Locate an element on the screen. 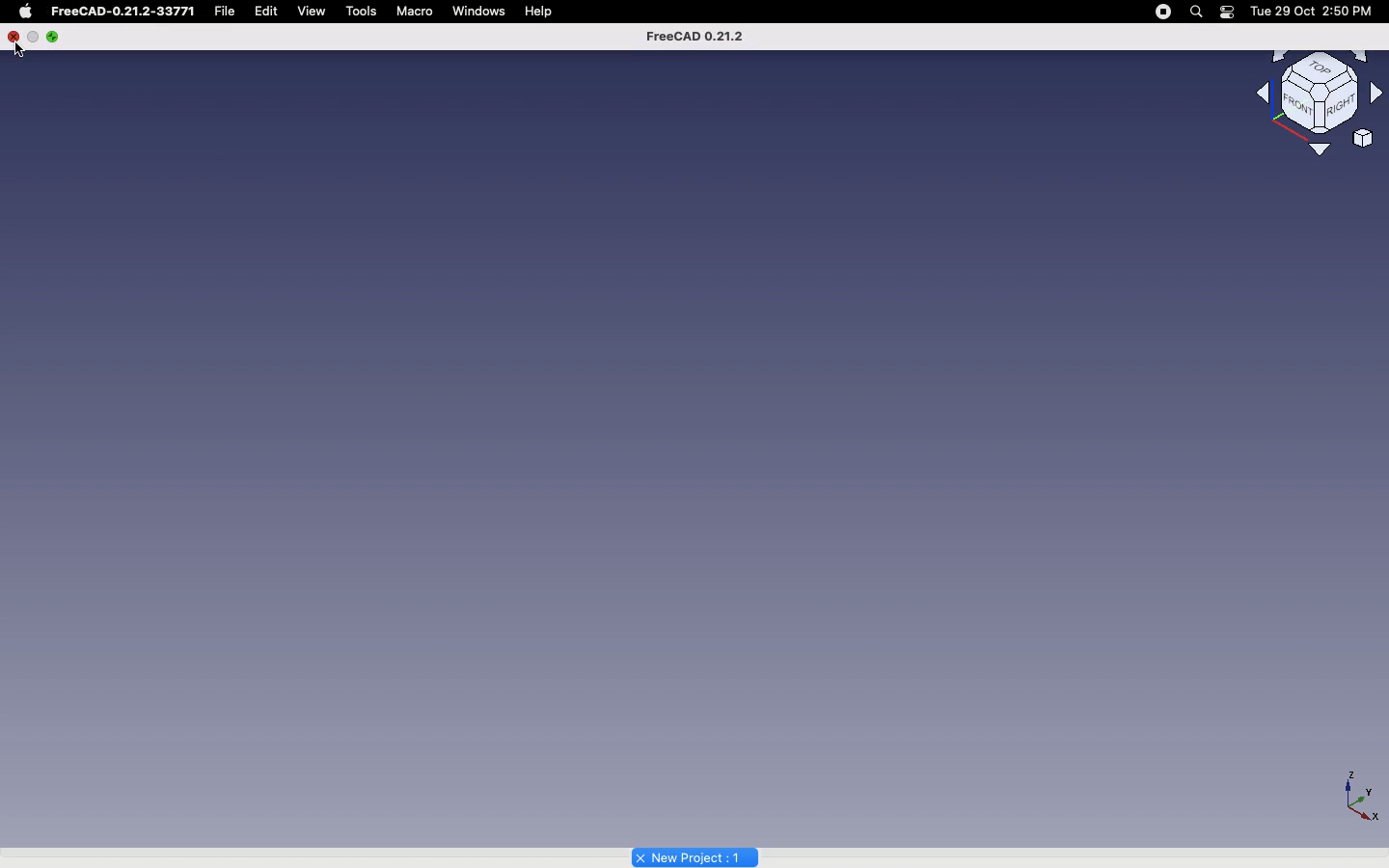 The height and width of the screenshot is (868, 1389). Restore is located at coordinates (34, 36).